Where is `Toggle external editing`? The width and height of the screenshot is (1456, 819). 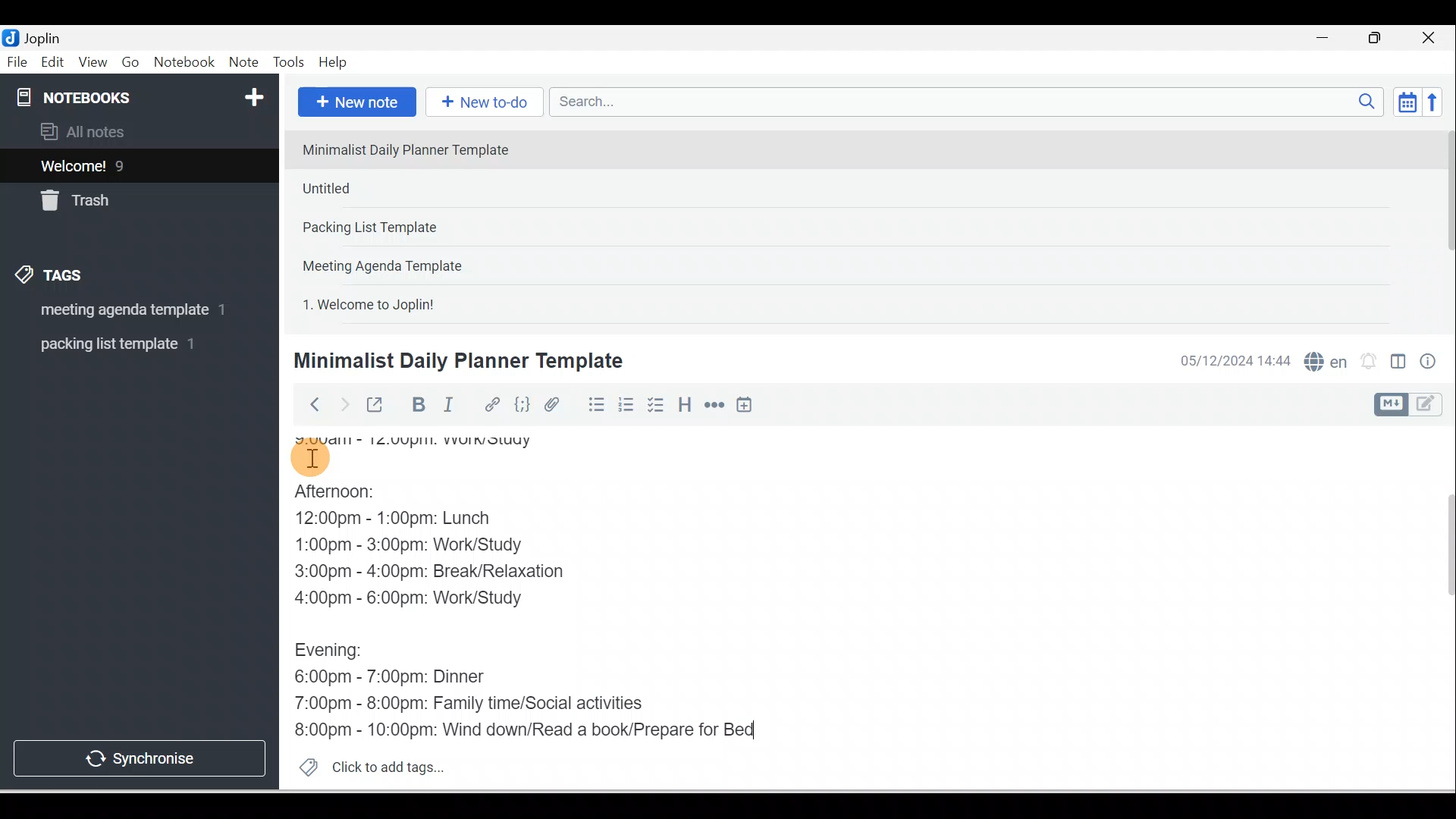 Toggle external editing is located at coordinates (377, 408).